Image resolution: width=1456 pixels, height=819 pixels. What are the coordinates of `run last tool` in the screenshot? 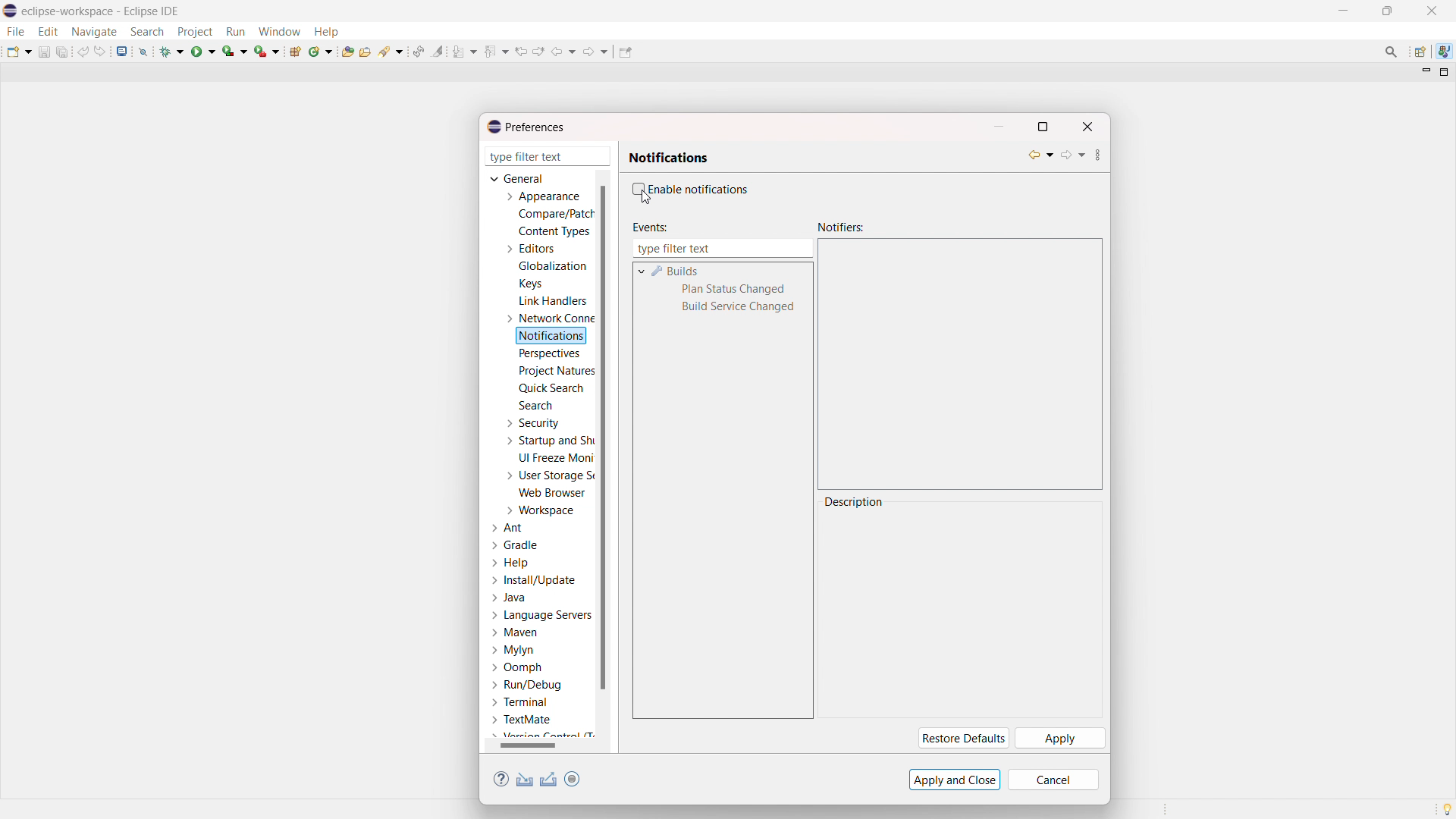 It's located at (268, 51).